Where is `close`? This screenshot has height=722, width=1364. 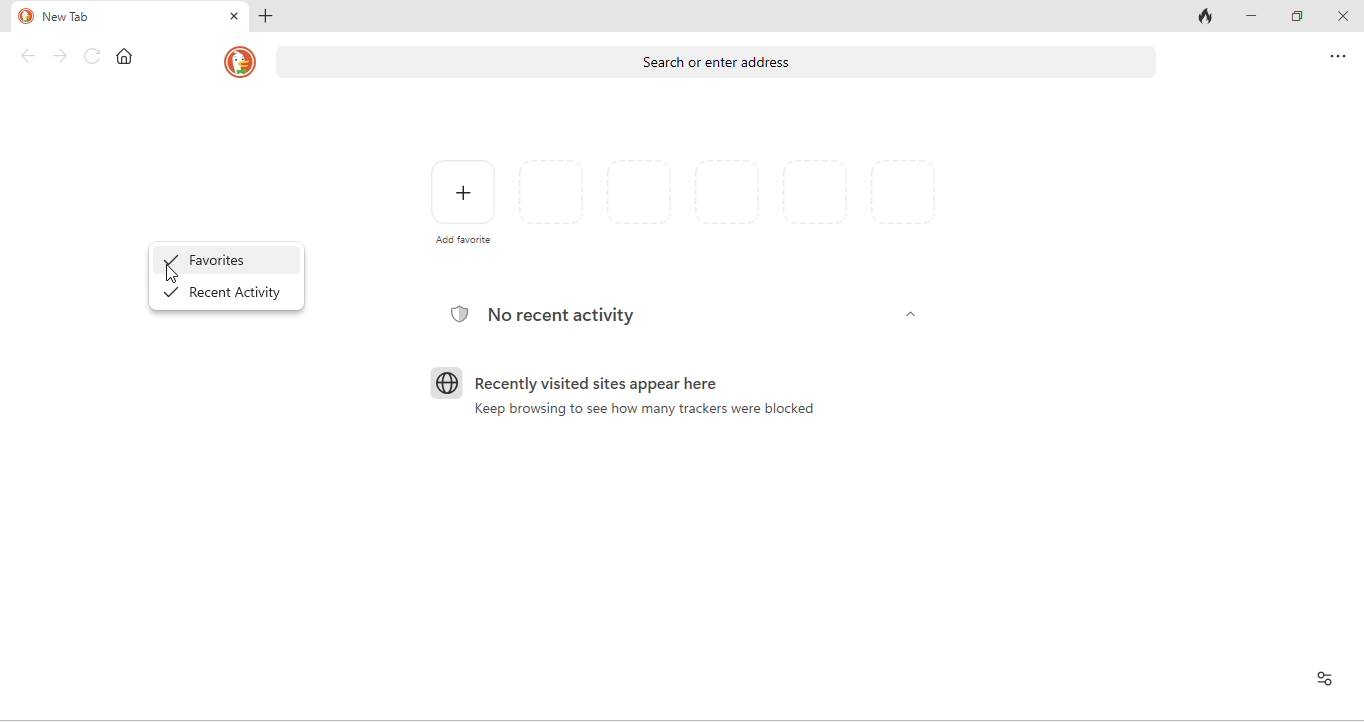
close is located at coordinates (234, 17).